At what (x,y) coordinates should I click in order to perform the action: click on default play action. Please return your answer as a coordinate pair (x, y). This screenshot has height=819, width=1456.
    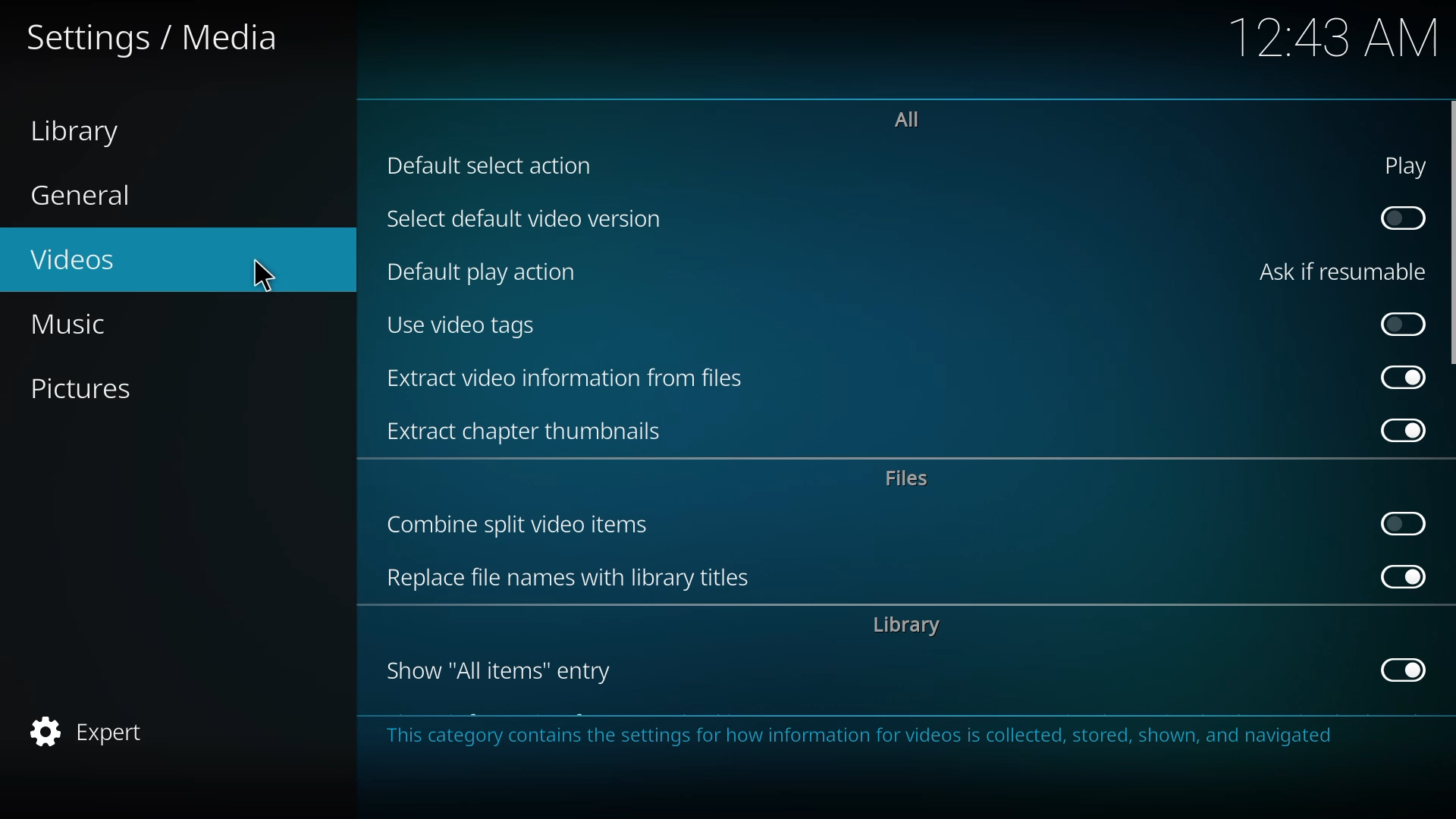
    Looking at the image, I should click on (488, 270).